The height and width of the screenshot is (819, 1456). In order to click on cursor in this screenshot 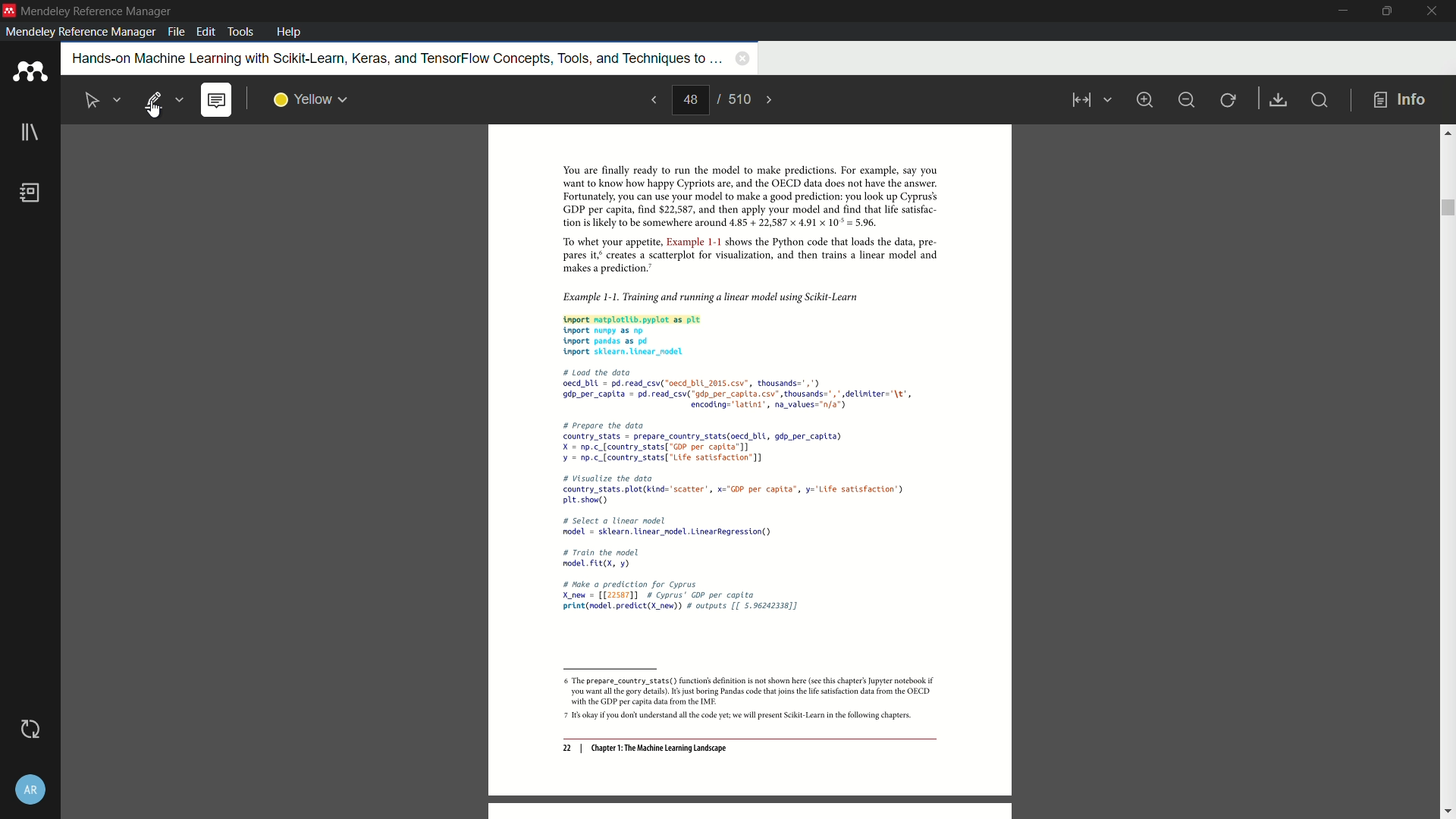, I will do `click(154, 111)`.